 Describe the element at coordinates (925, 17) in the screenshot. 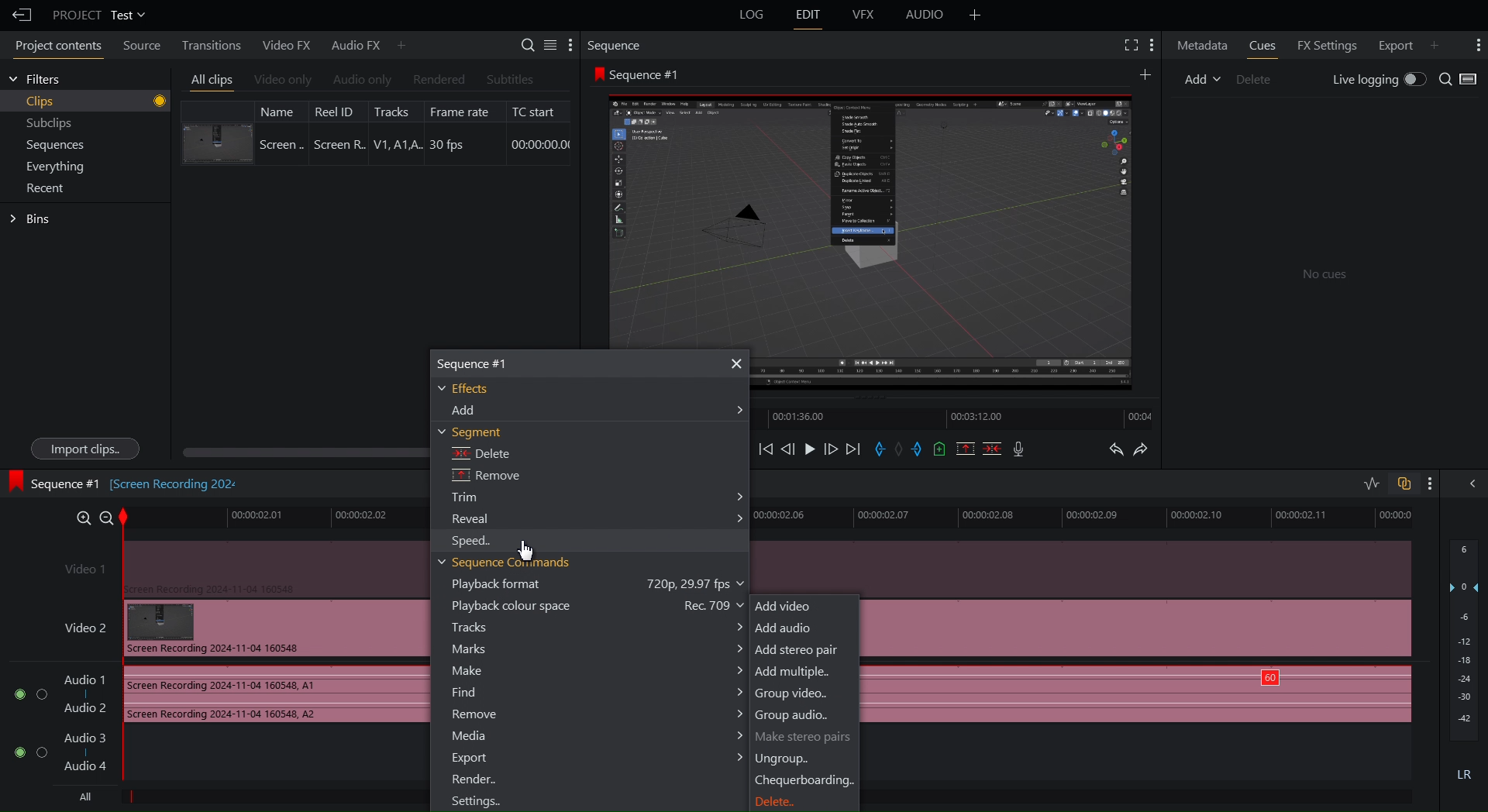

I see `Audio` at that location.